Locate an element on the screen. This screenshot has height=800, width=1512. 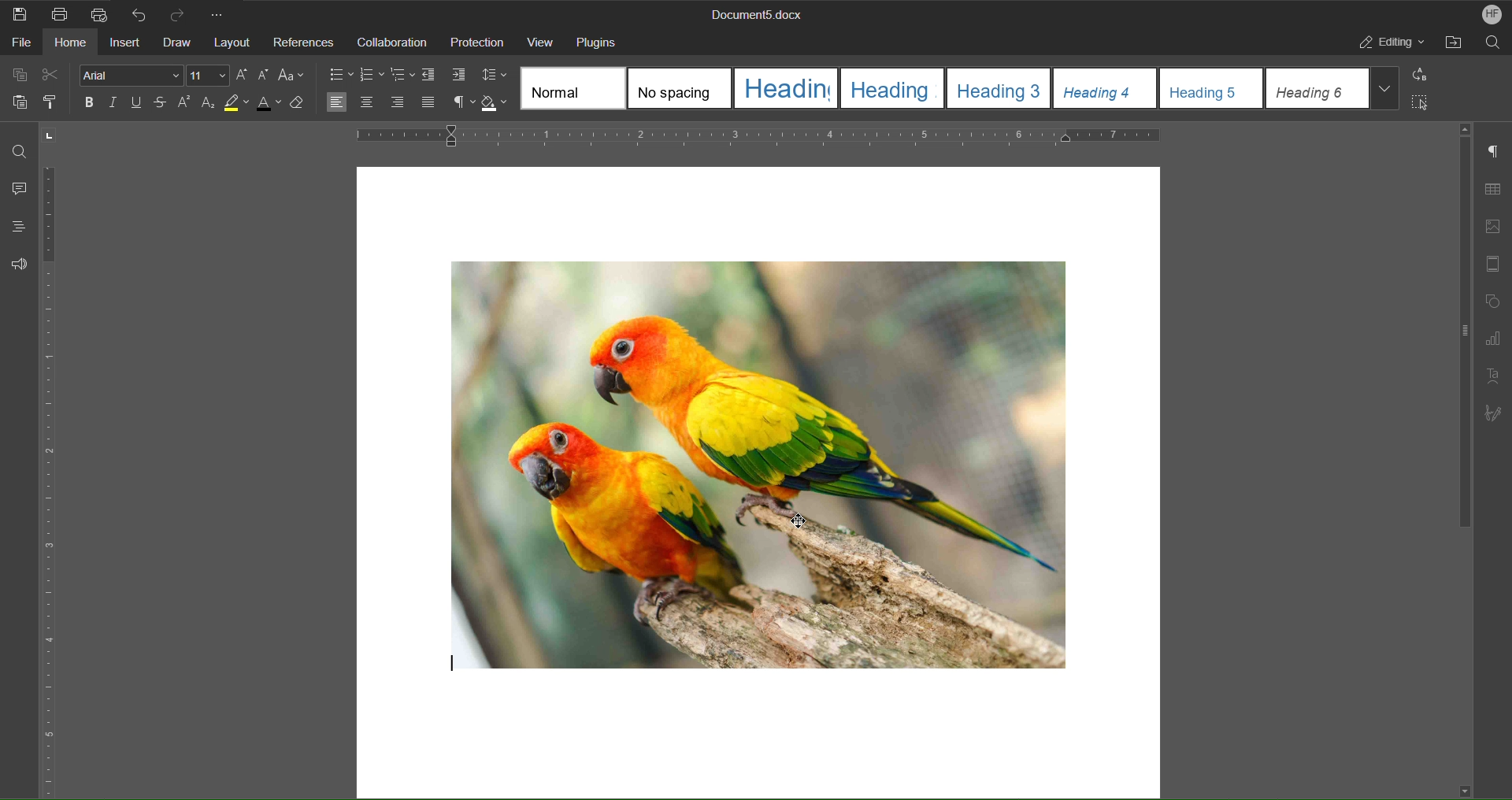
Home is located at coordinates (72, 45).